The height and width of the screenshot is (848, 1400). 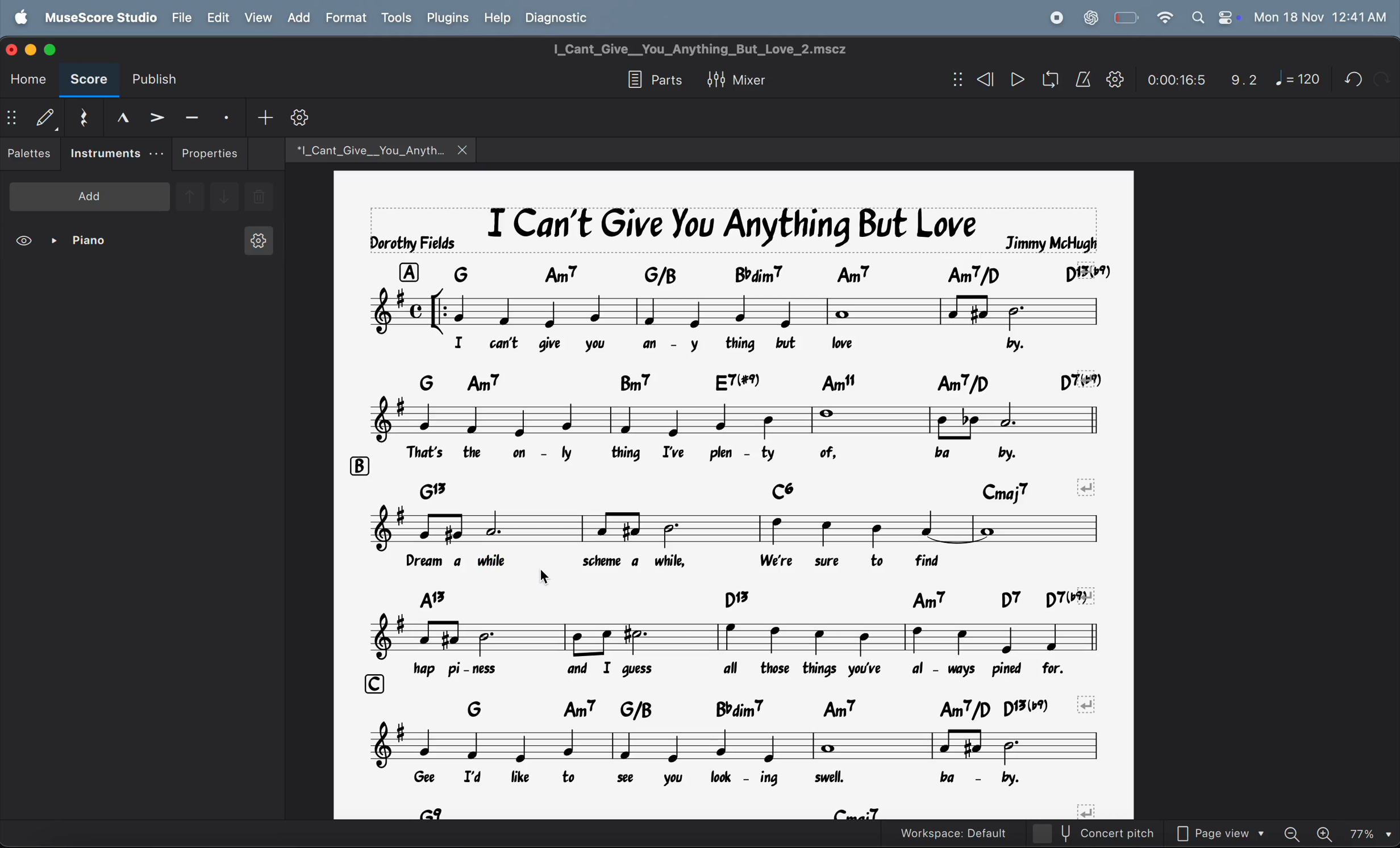 I want to click on minimize, so click(x=33, y=49).